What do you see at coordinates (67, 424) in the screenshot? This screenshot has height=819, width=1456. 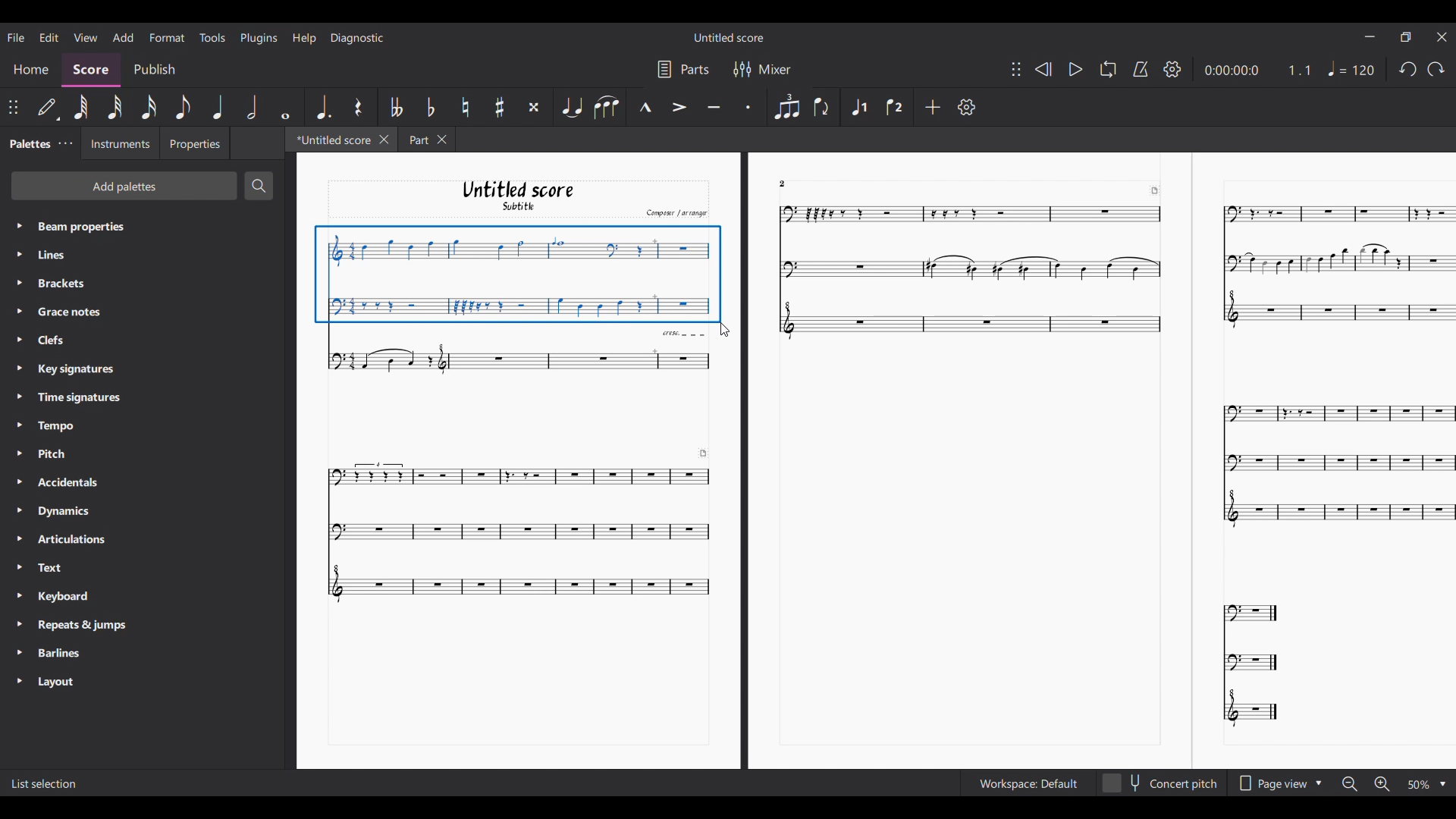 I see `Tempo` at bounding box center [67, 424].